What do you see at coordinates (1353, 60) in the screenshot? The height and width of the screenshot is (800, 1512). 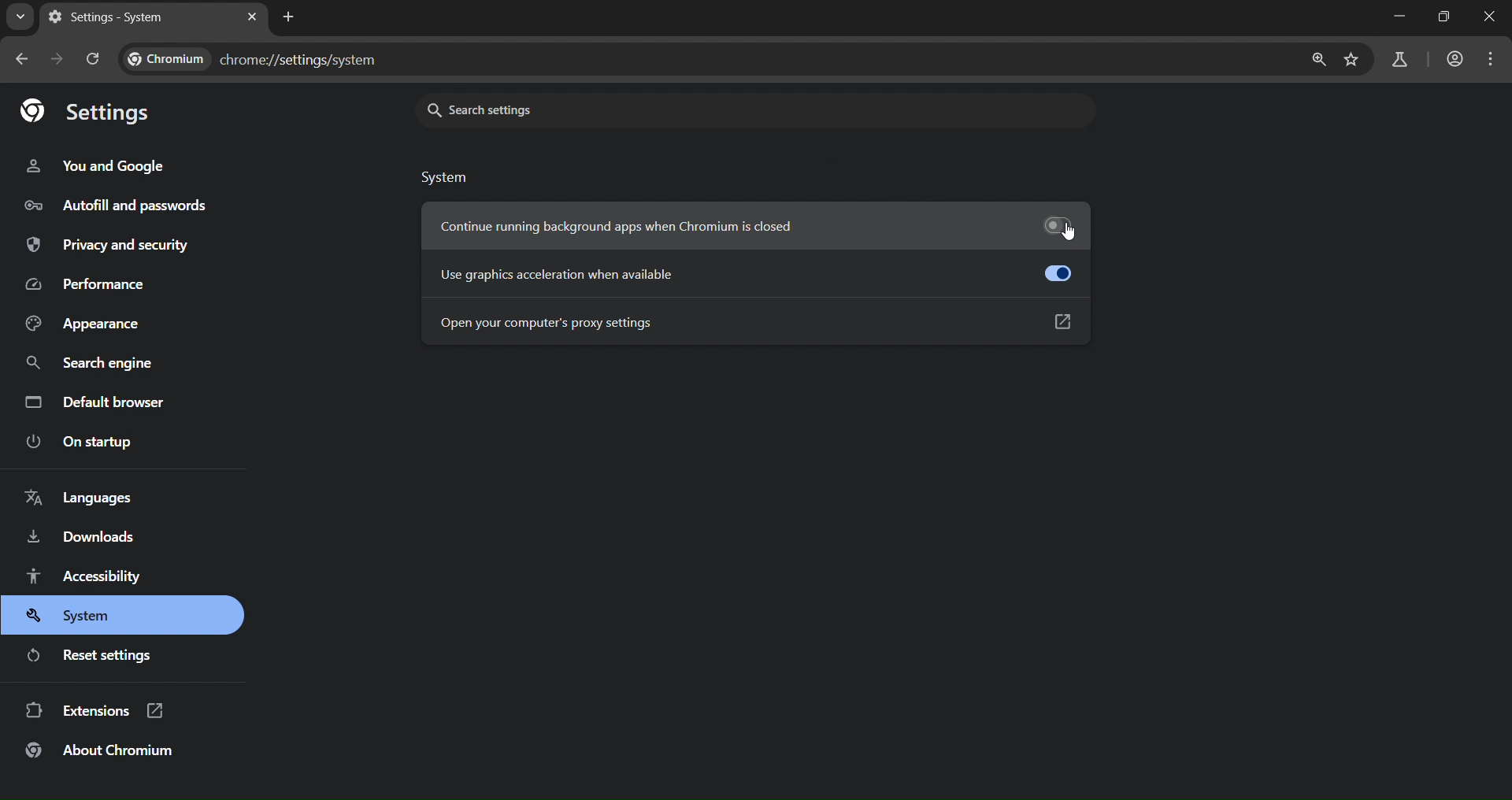 I see `bookmark` at bounding box center [1353, 60].